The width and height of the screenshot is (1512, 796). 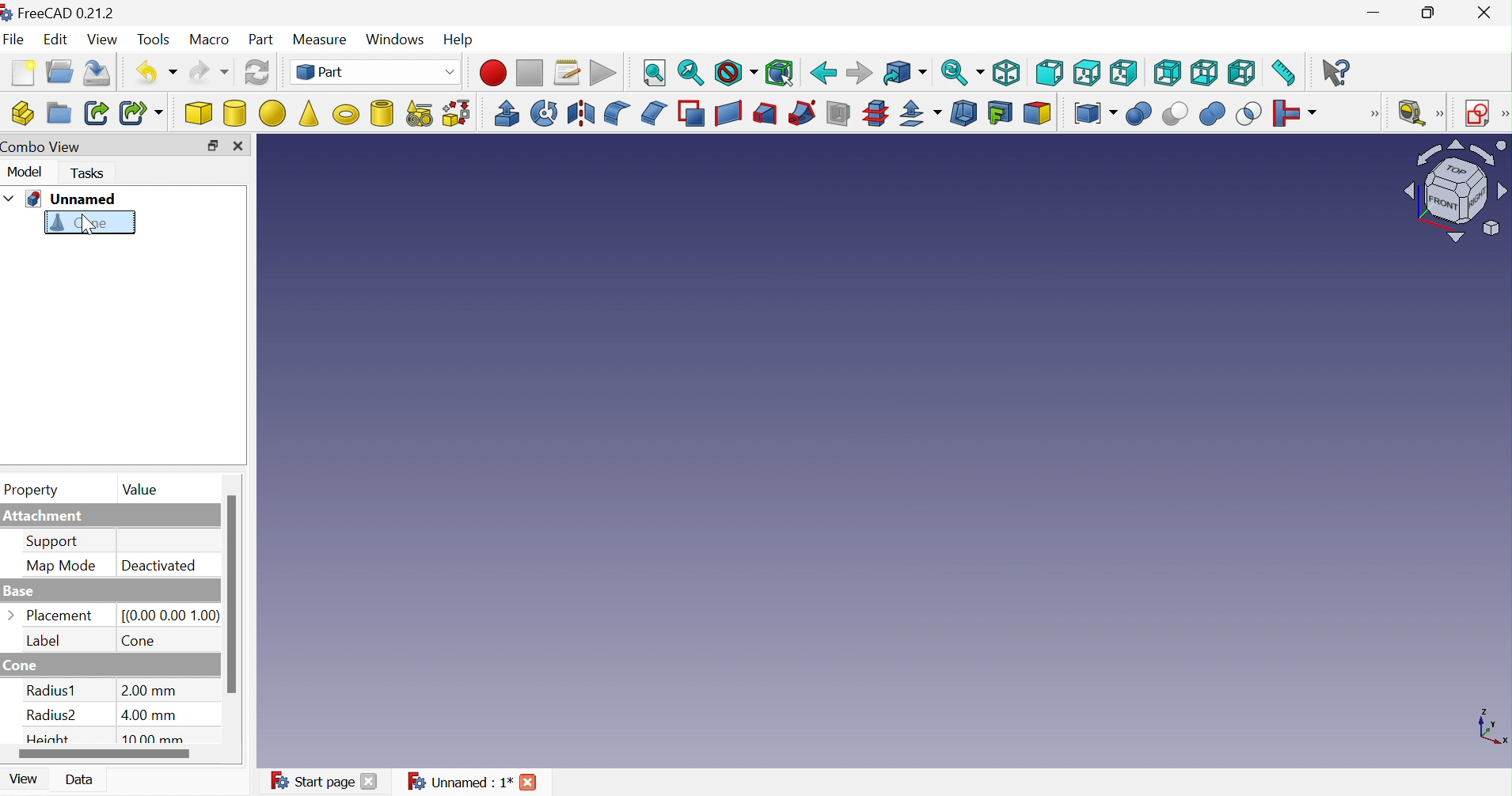 What do you see at coordinates (1455, 191) in the screenshot?
I see `Workbench layout` at bounding box center [1455, 191].